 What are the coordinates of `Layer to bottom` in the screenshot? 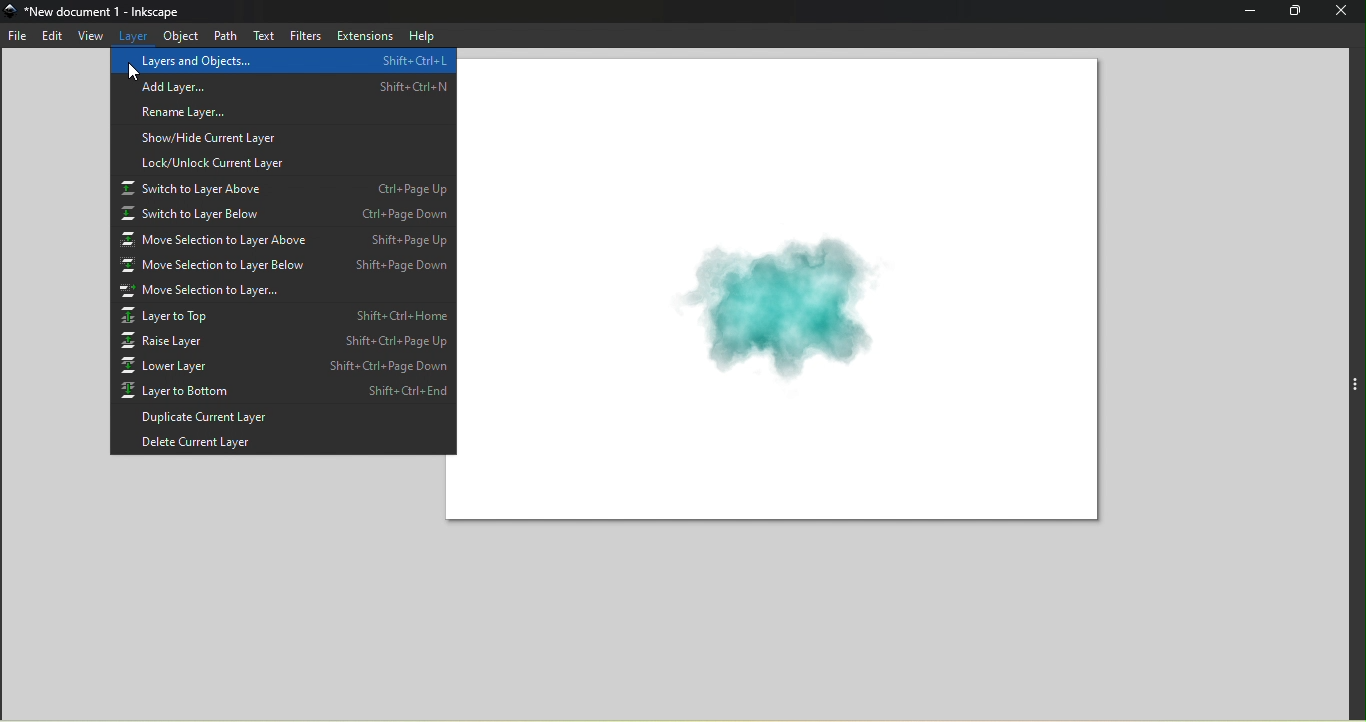 It's located at (284, 392).